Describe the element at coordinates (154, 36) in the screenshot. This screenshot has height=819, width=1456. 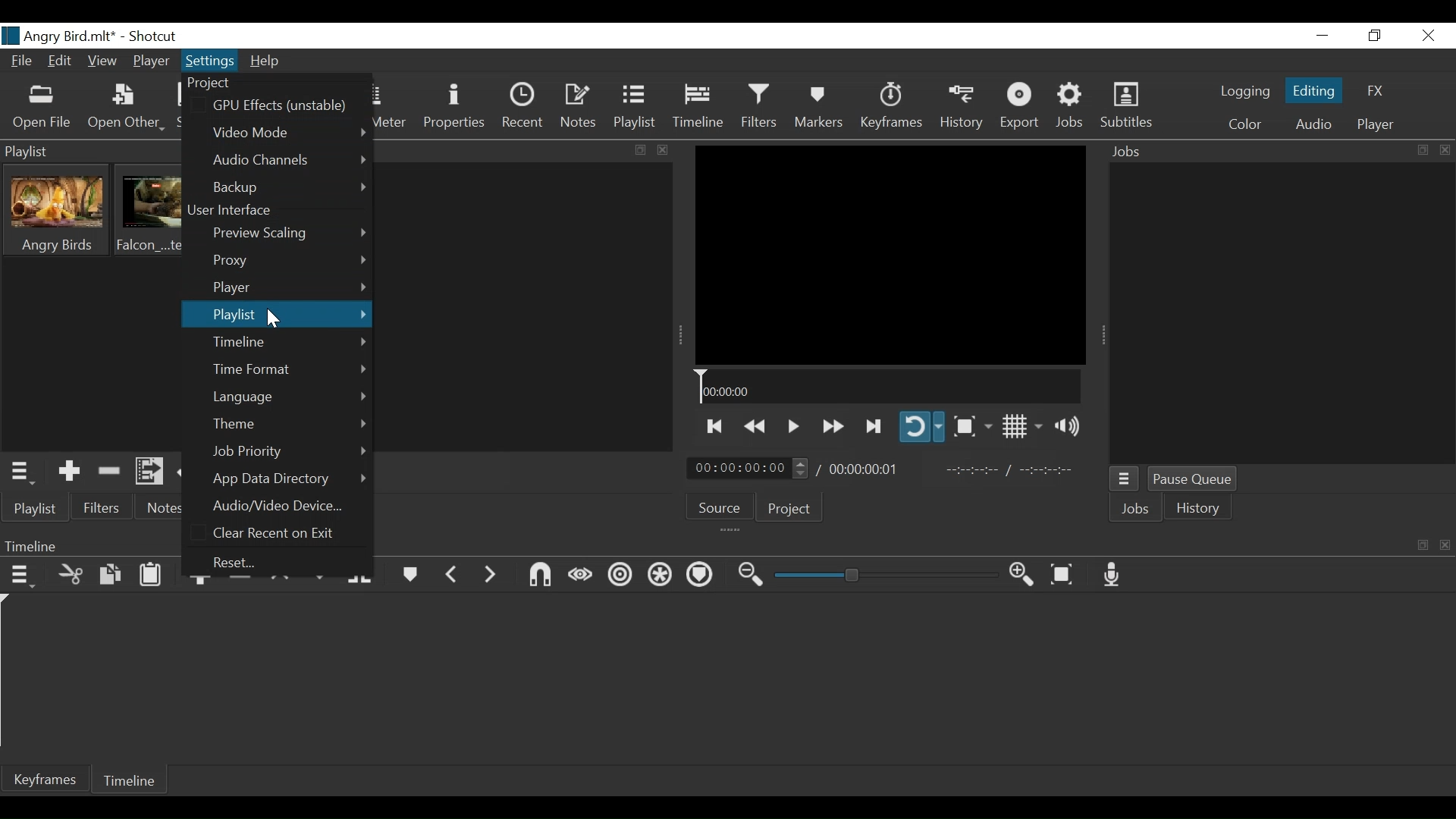
I see `Shotcut` at that location.